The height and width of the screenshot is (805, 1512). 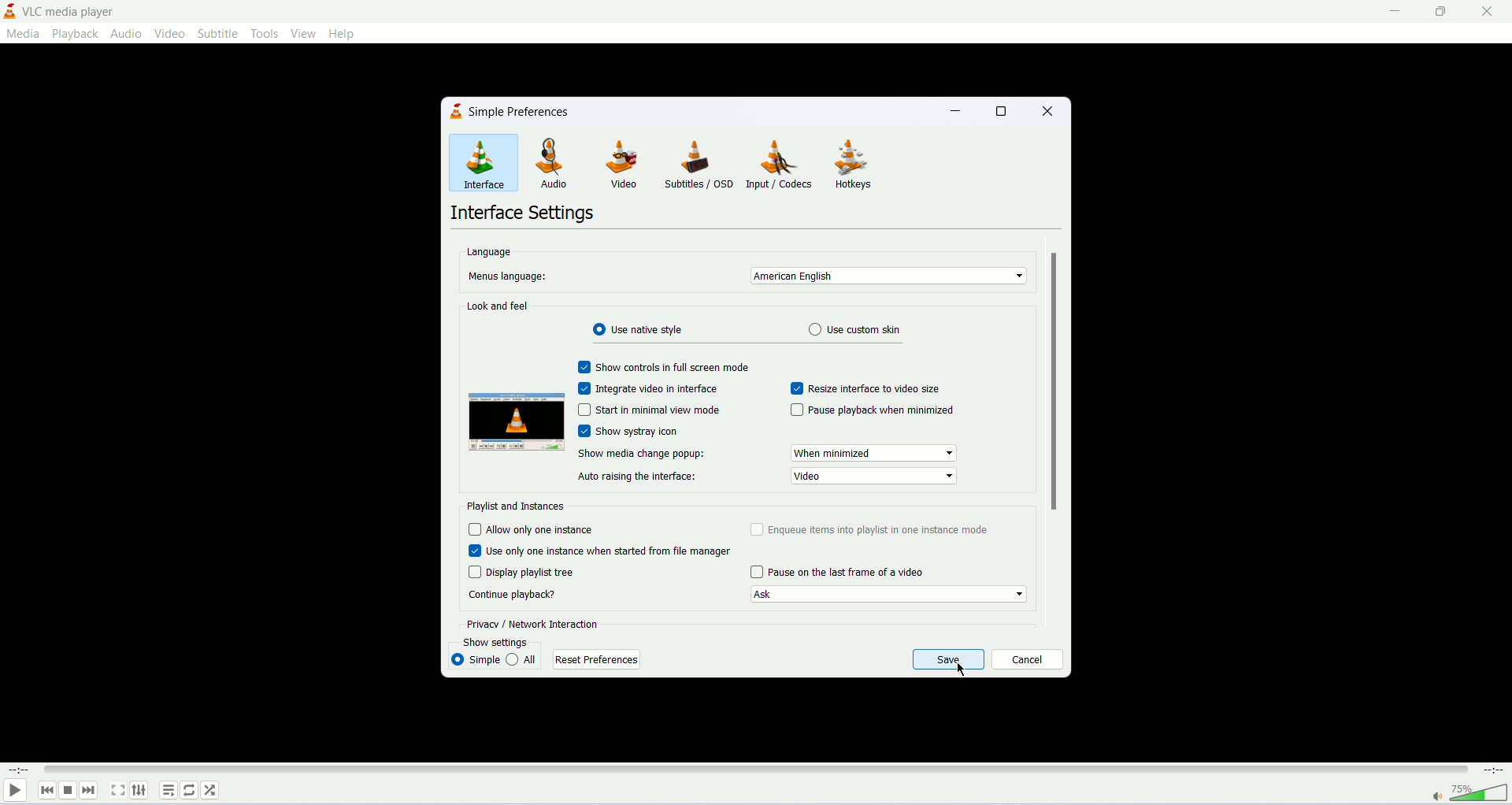 I want to click on start in minimal mode, so click(x=648, y=410).